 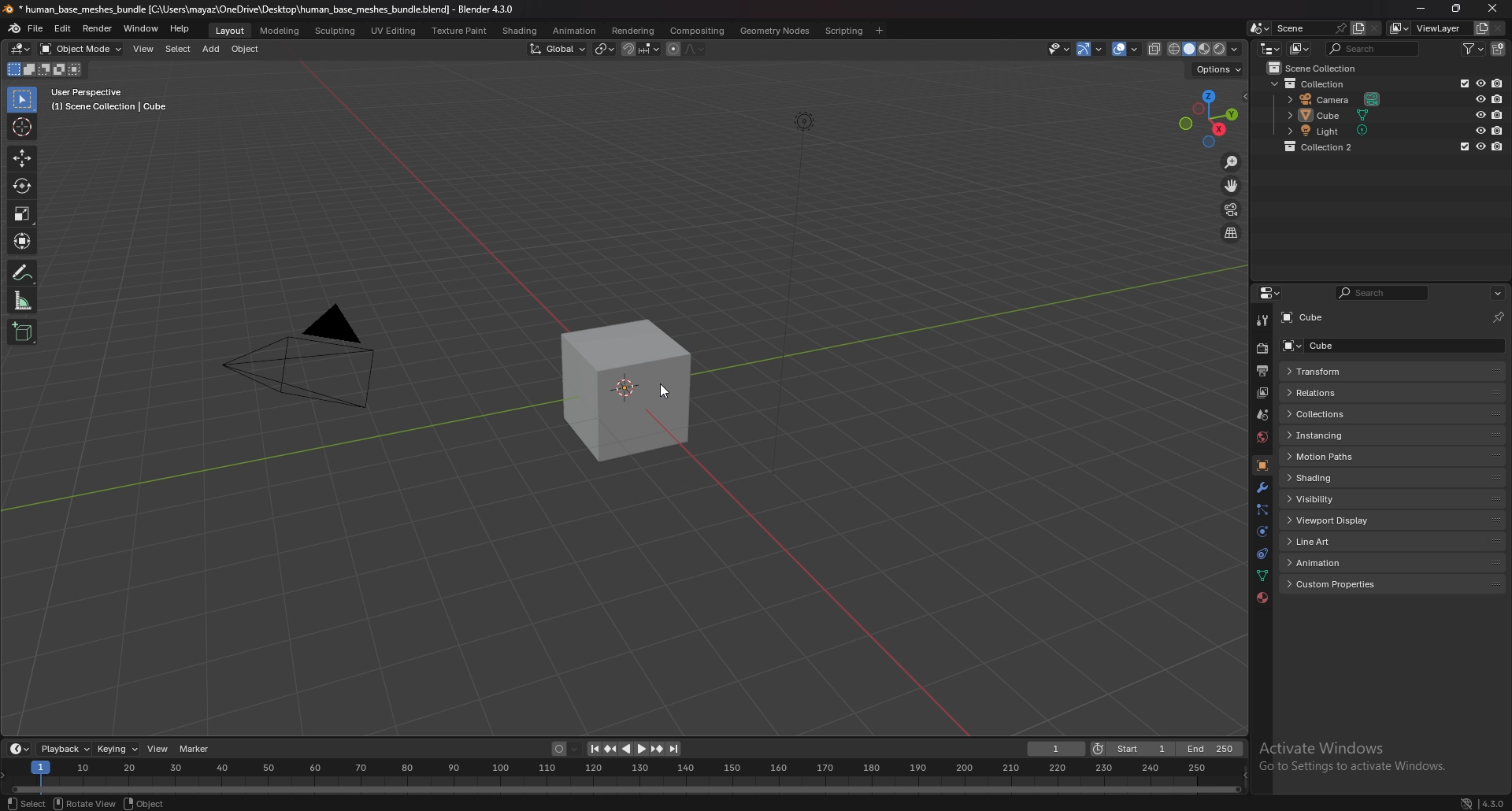 What do you see at coordinates (1500, 48) in the screenshot?
I see `new collection` at bounding box center [1500, 48].